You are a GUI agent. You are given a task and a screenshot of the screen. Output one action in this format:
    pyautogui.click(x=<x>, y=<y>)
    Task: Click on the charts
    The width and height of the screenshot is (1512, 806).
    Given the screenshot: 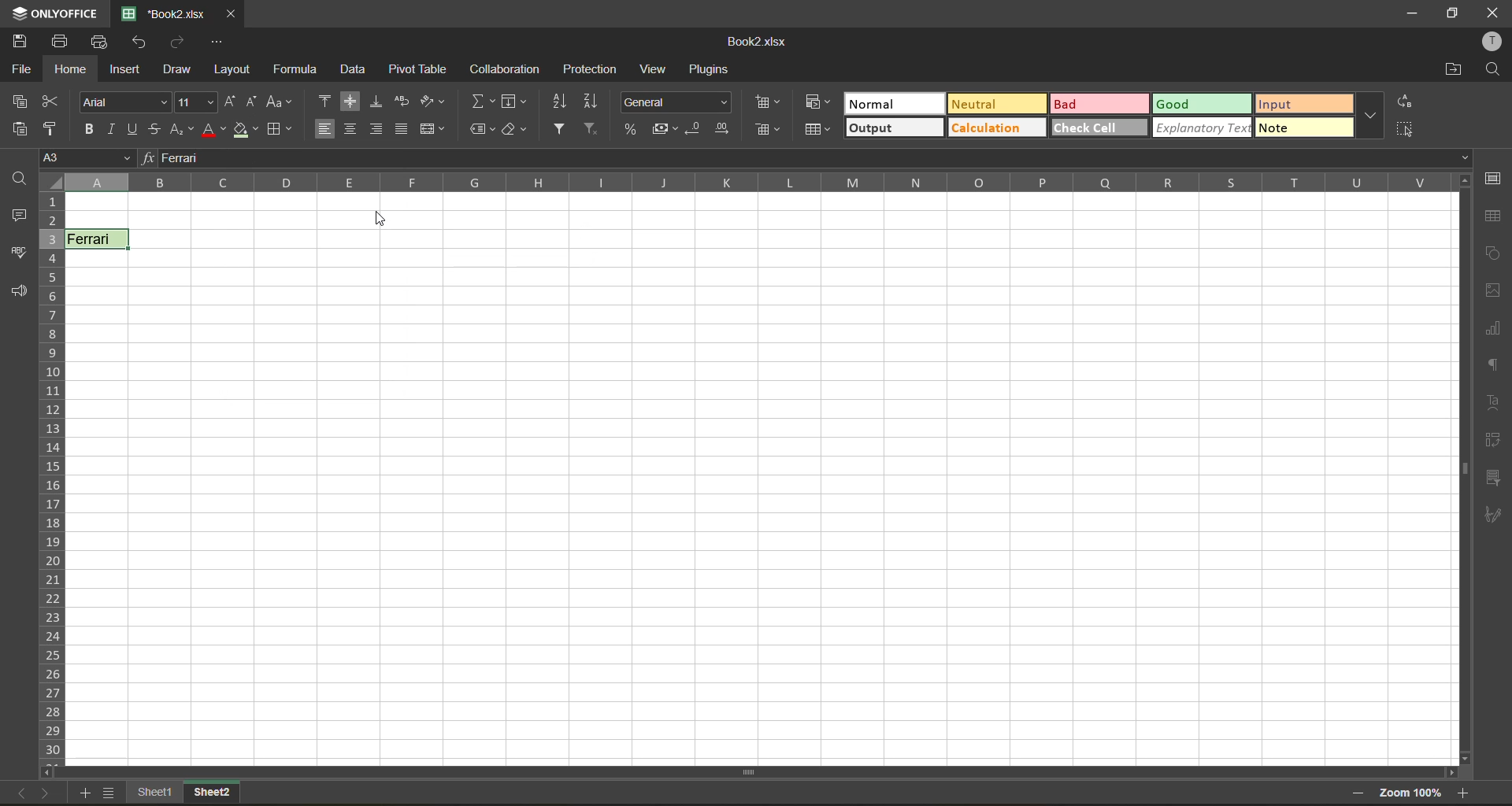 What is the action you would take?
    pyautogui.click(x=1495, y=329)
    